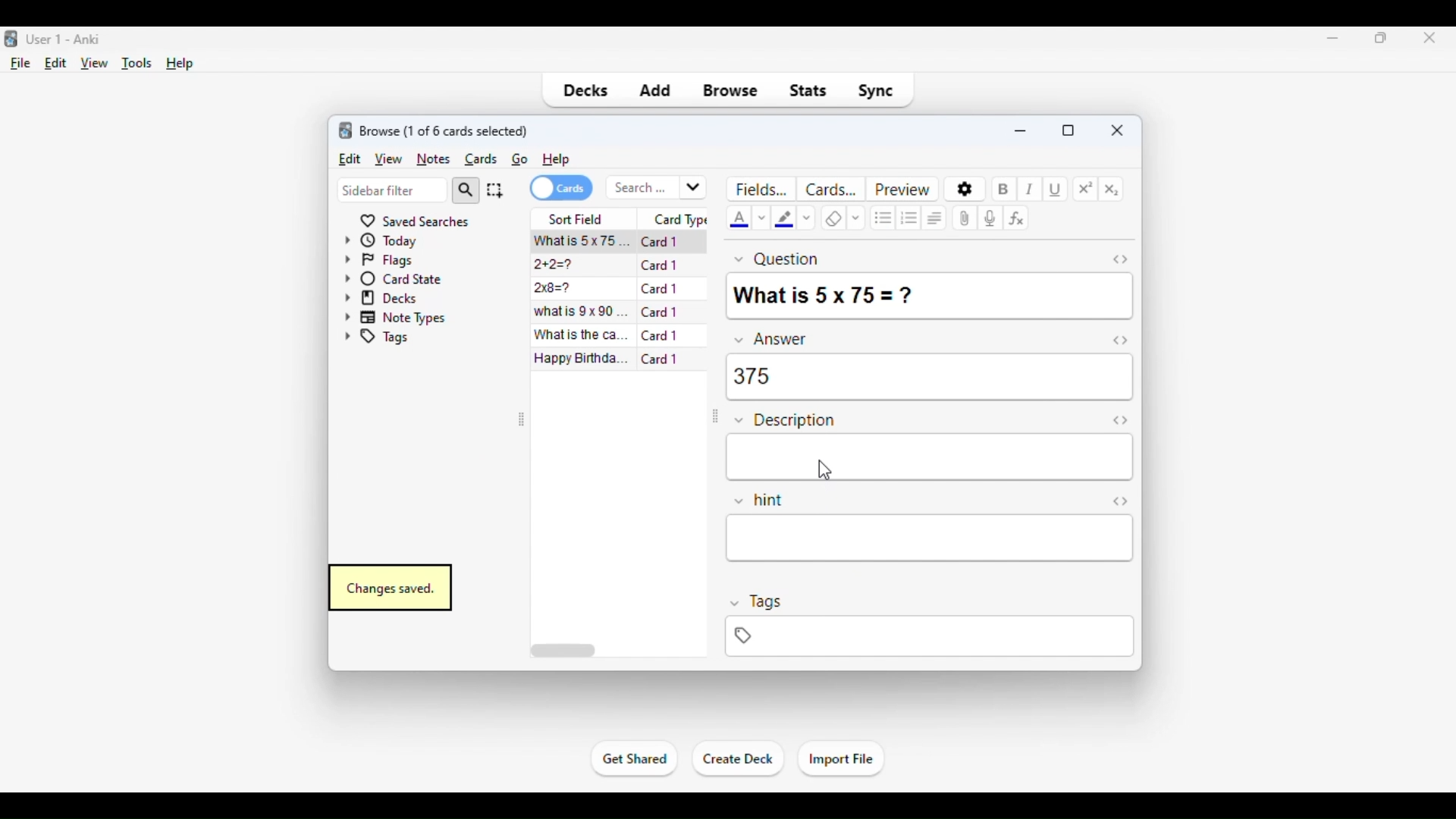 Image resolution: width=1456 pixels, height=819 pixels. I want to click on view, so click(388, 158).